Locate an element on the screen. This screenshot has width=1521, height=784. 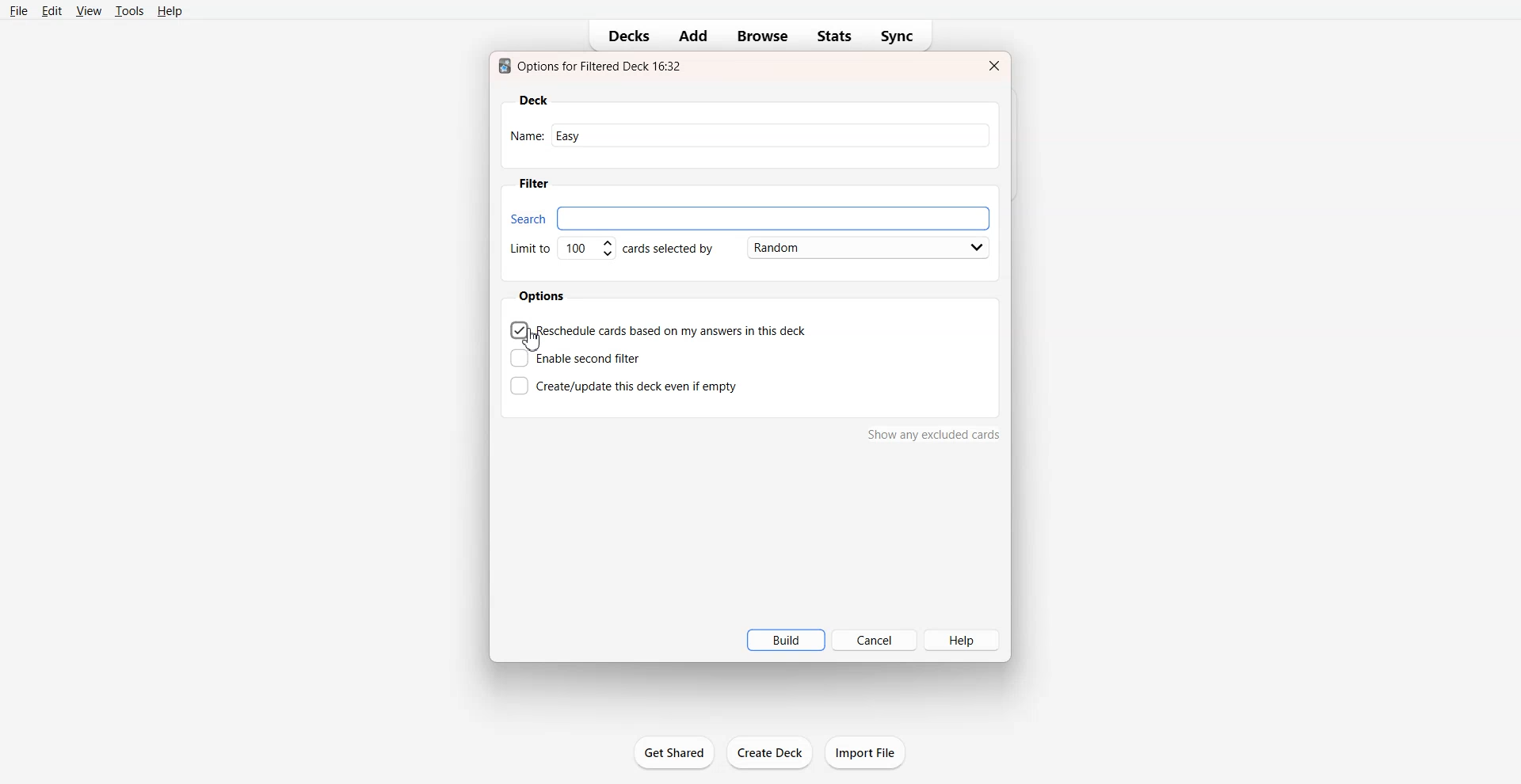
Tools is located at coordinates (129, 10).